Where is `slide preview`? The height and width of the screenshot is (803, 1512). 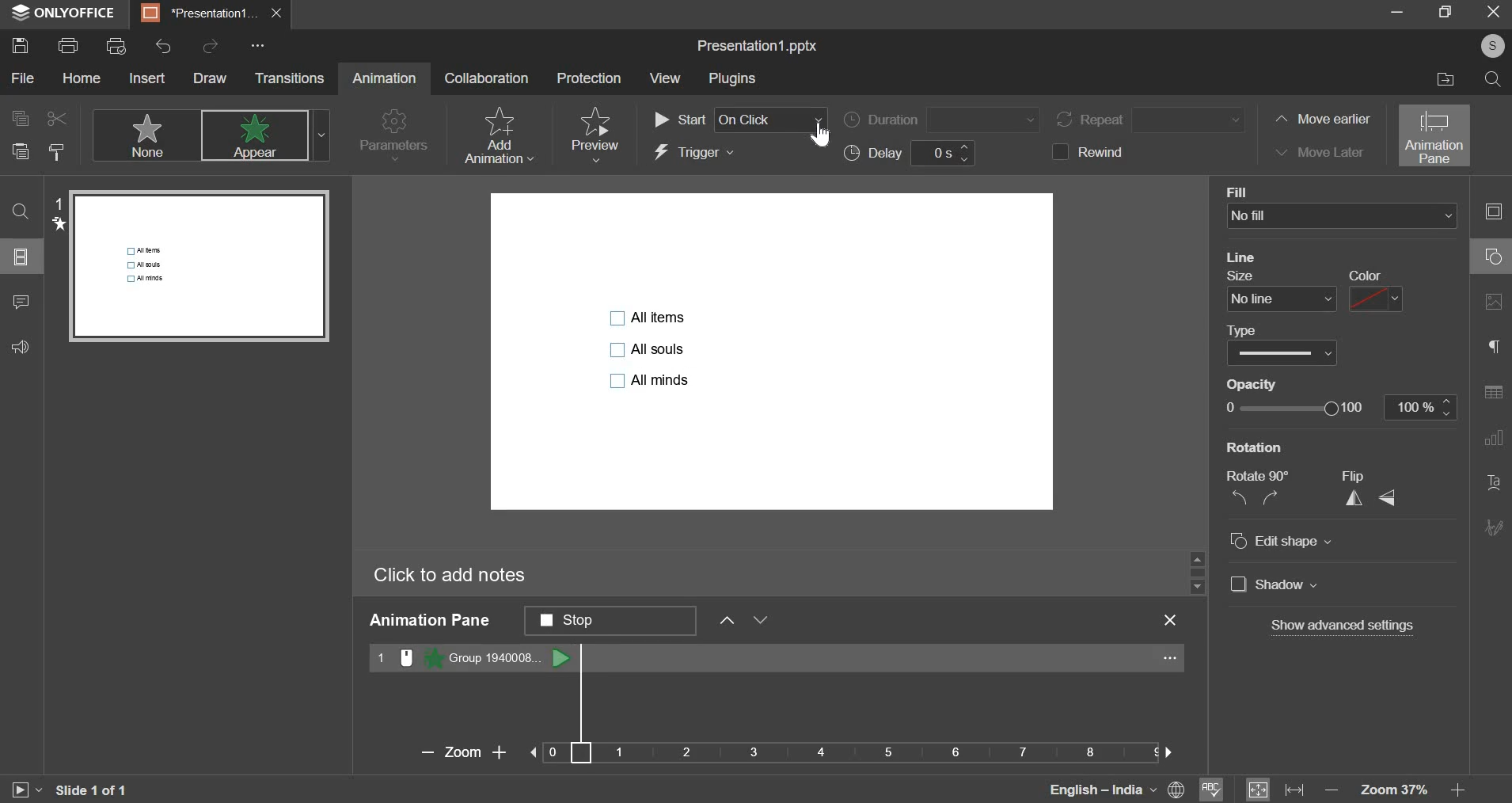
slide preview is located at coordinates (199, 265).